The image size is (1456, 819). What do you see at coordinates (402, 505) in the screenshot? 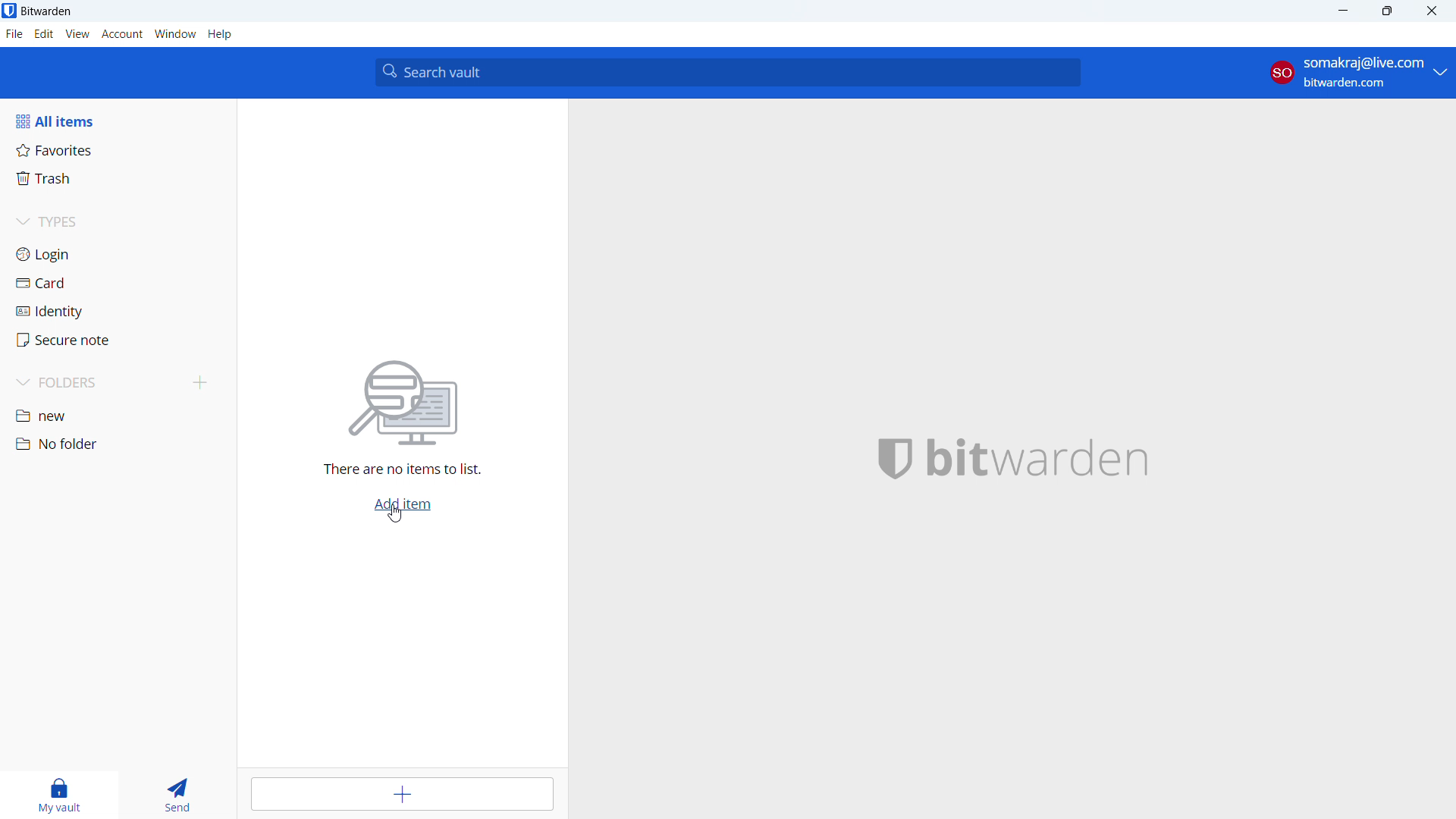
I see `add item` at bounding box center [402, 505].